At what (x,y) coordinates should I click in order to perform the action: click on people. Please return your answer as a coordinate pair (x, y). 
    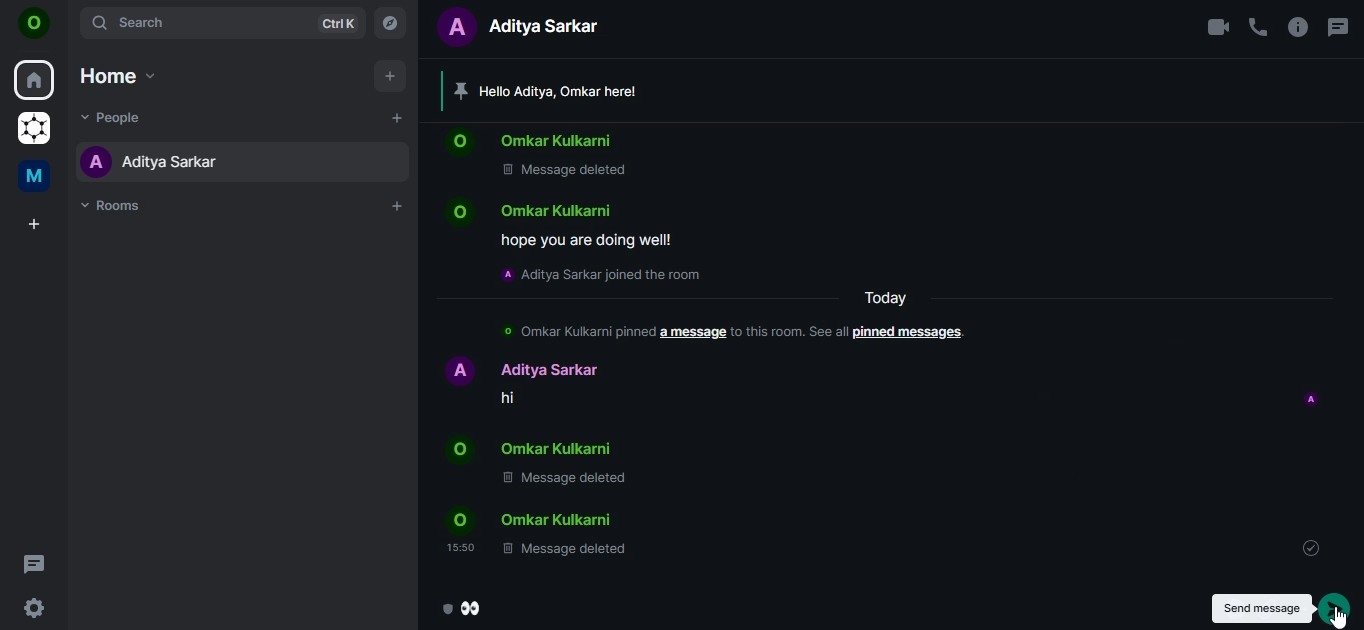
    Looking at the image, I should click on (109, 116).